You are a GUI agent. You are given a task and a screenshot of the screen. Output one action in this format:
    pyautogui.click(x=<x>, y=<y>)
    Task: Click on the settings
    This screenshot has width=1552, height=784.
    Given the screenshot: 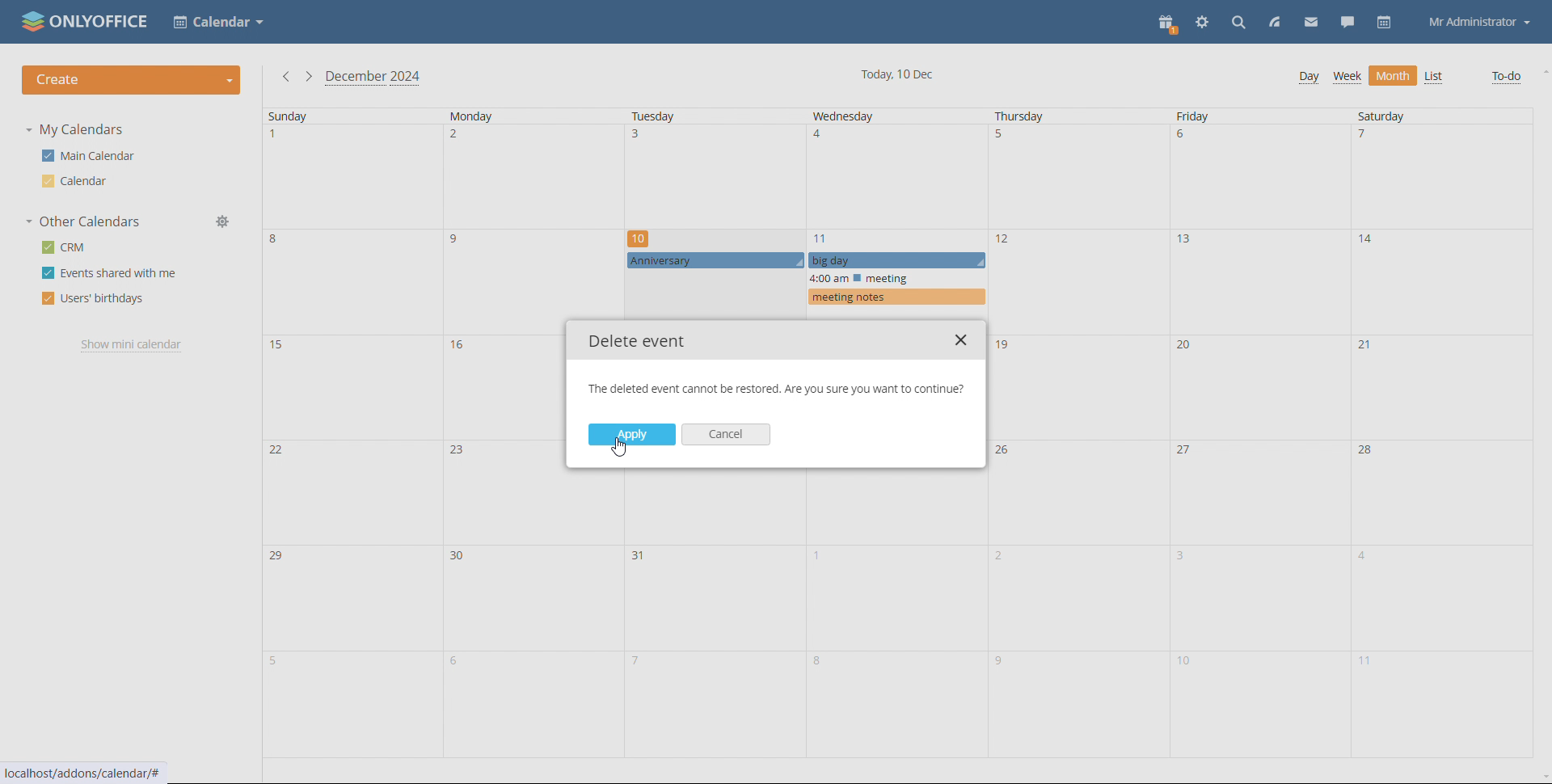 What is the action you would take?
    pyautogui.click(x=1203, y=22)
    